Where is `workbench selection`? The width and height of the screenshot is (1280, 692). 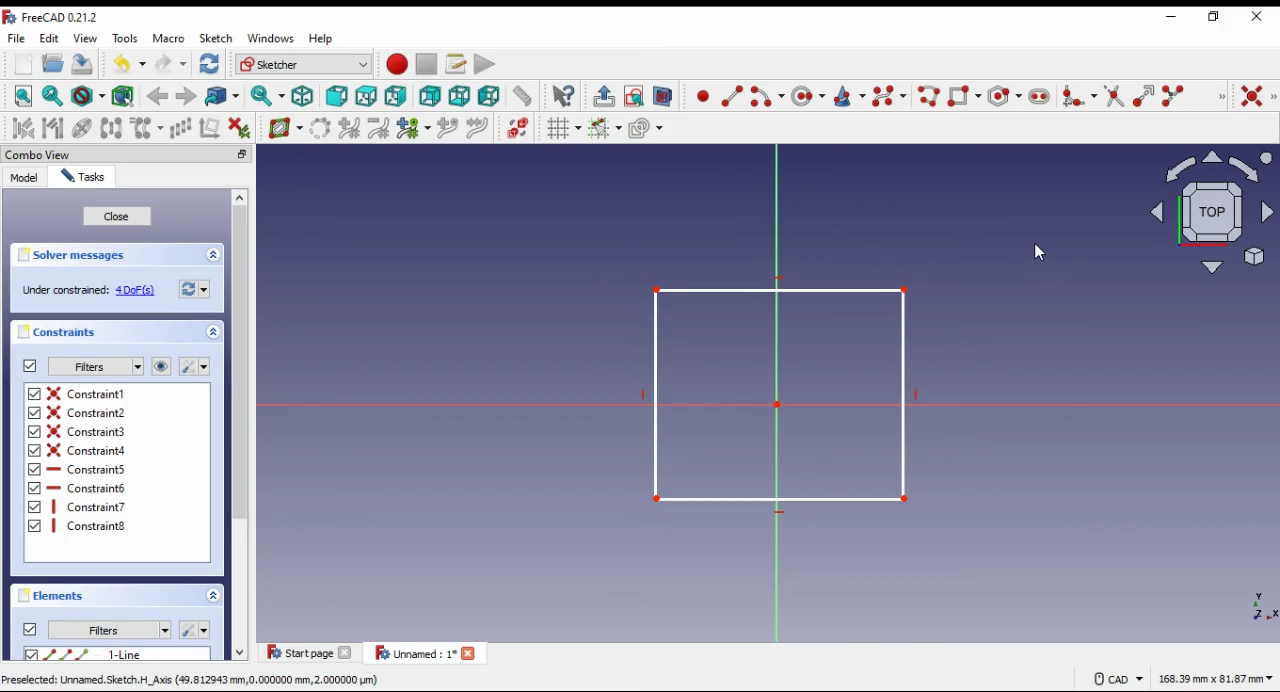 workbench selection is located at coordinates (304, 64).